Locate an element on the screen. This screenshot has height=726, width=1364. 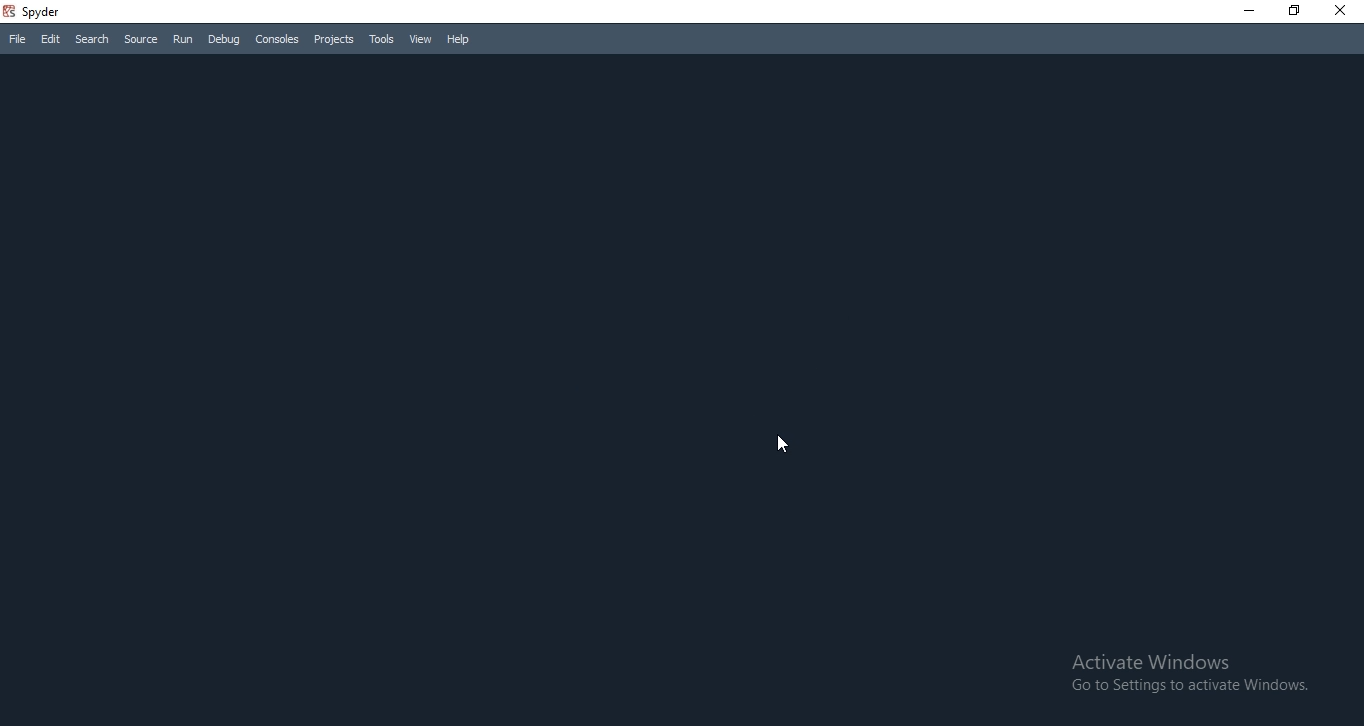
Run is located at coordinates (182, 40).